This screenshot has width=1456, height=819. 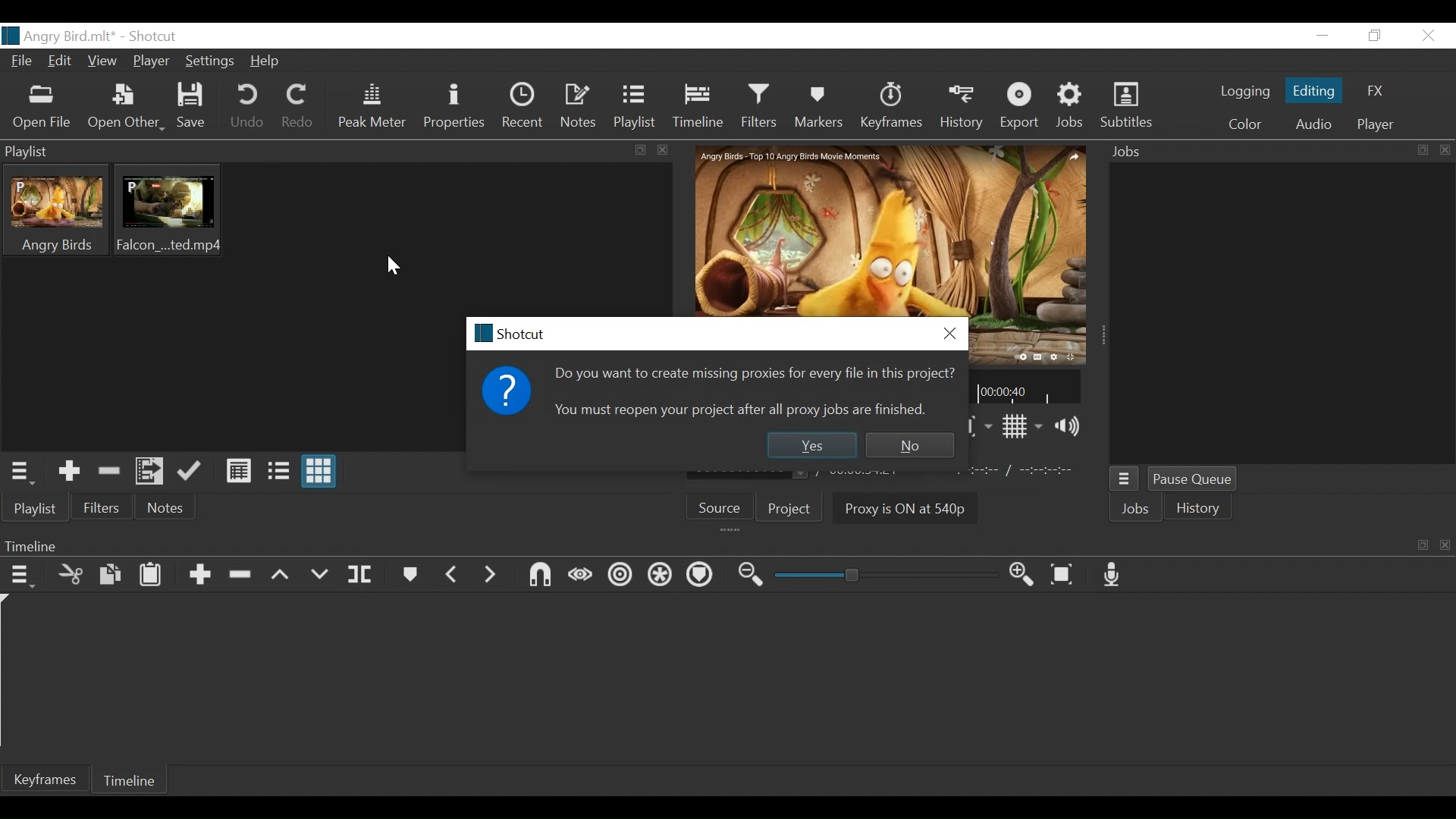 What do you see at coordinates (1428, 35) in the screenshot?
I see `Close` at bounding box center [1428, 35].